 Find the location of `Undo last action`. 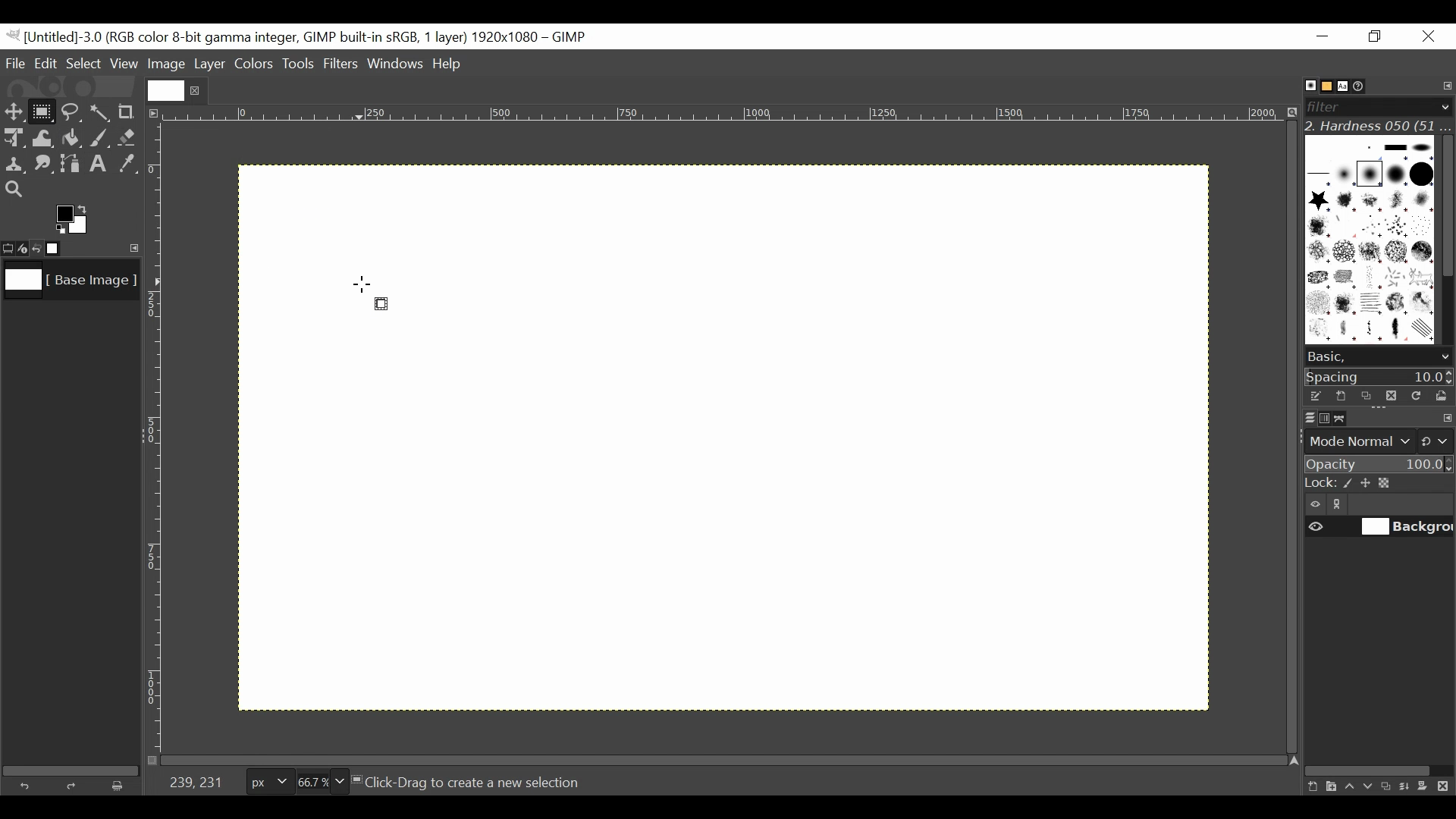

Undo last action is located at coordinates (37, 248).